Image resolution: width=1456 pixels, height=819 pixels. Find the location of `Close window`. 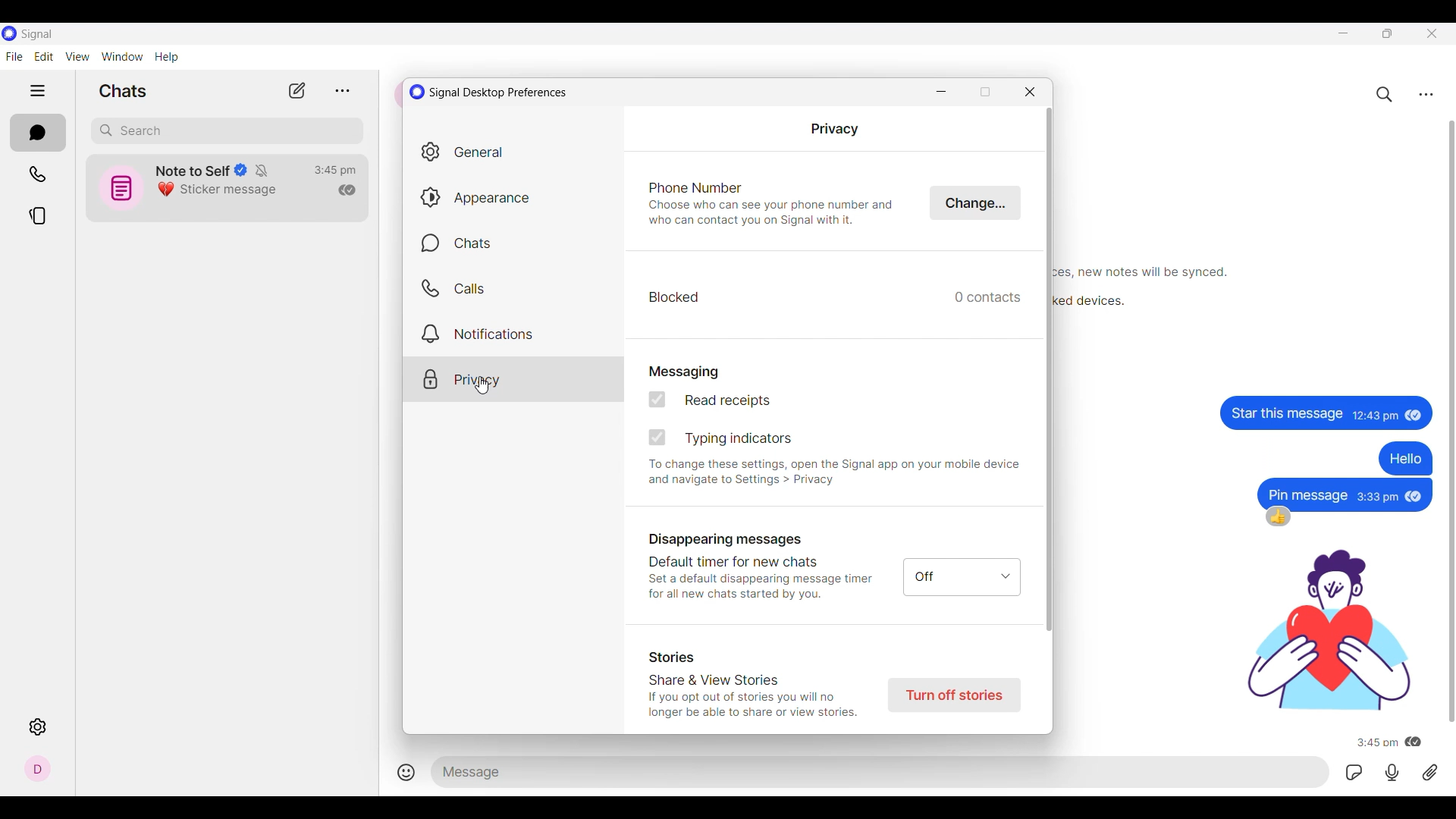

Close window is located at coordinates (1030, 92).